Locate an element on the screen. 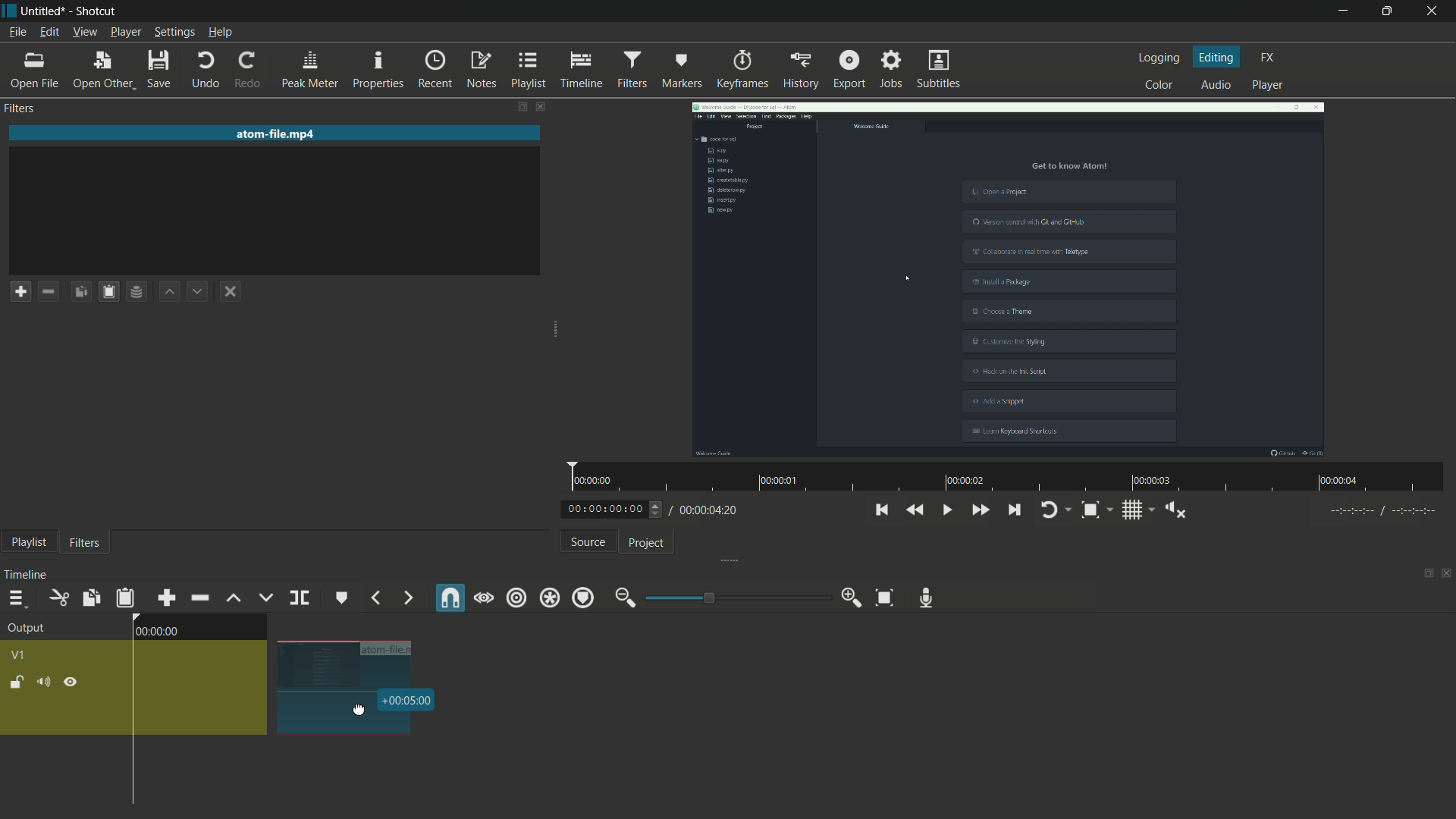 Image resolution: width=1456 pixels, height=819 pixels. open other is located at coordinates (102, 70).